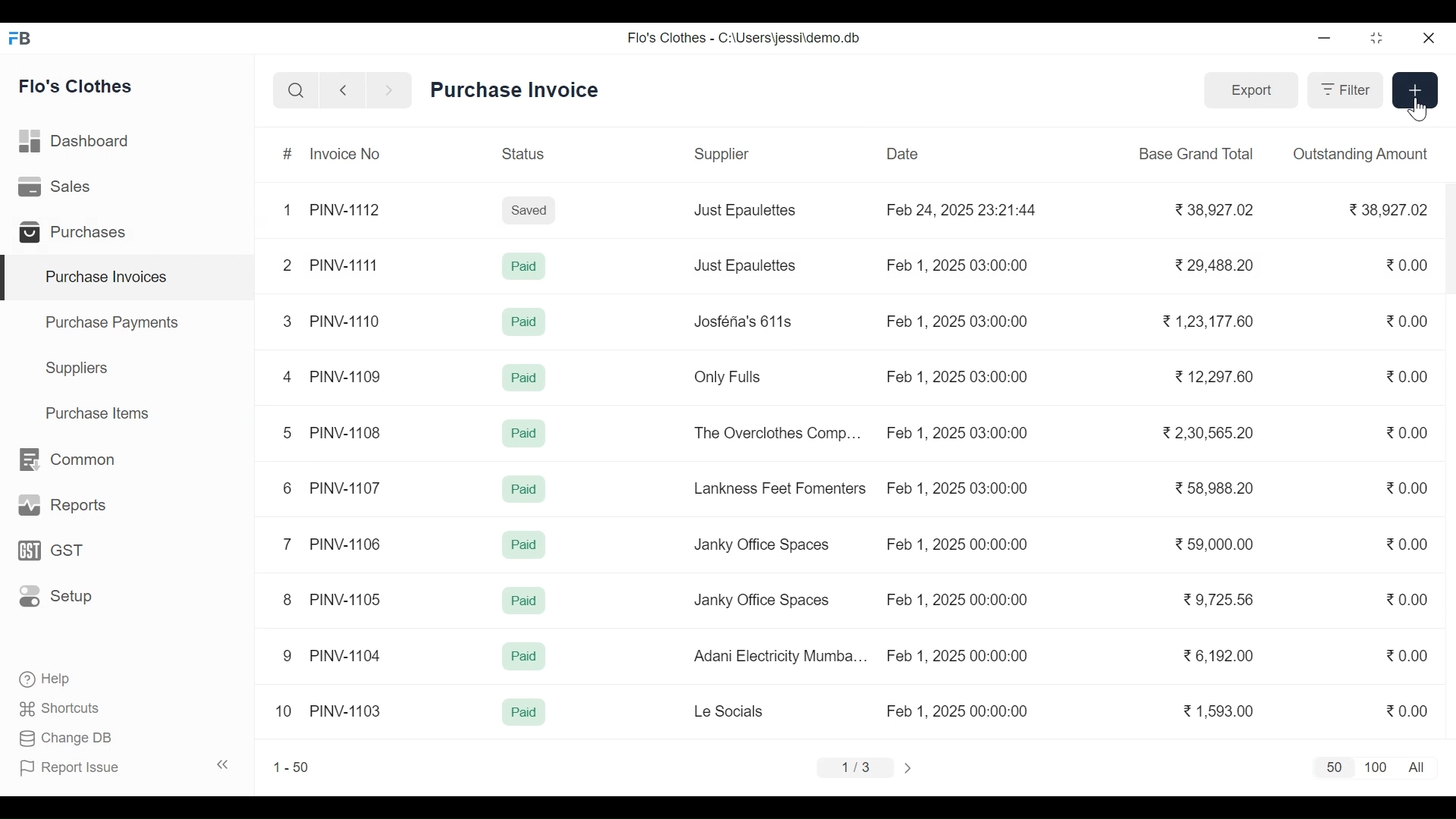 This screenshot has height=819, width=1456. What do you see at coordinates (525, 153) in the screenshot?
I see `Status` at bounding box center [525, 153].